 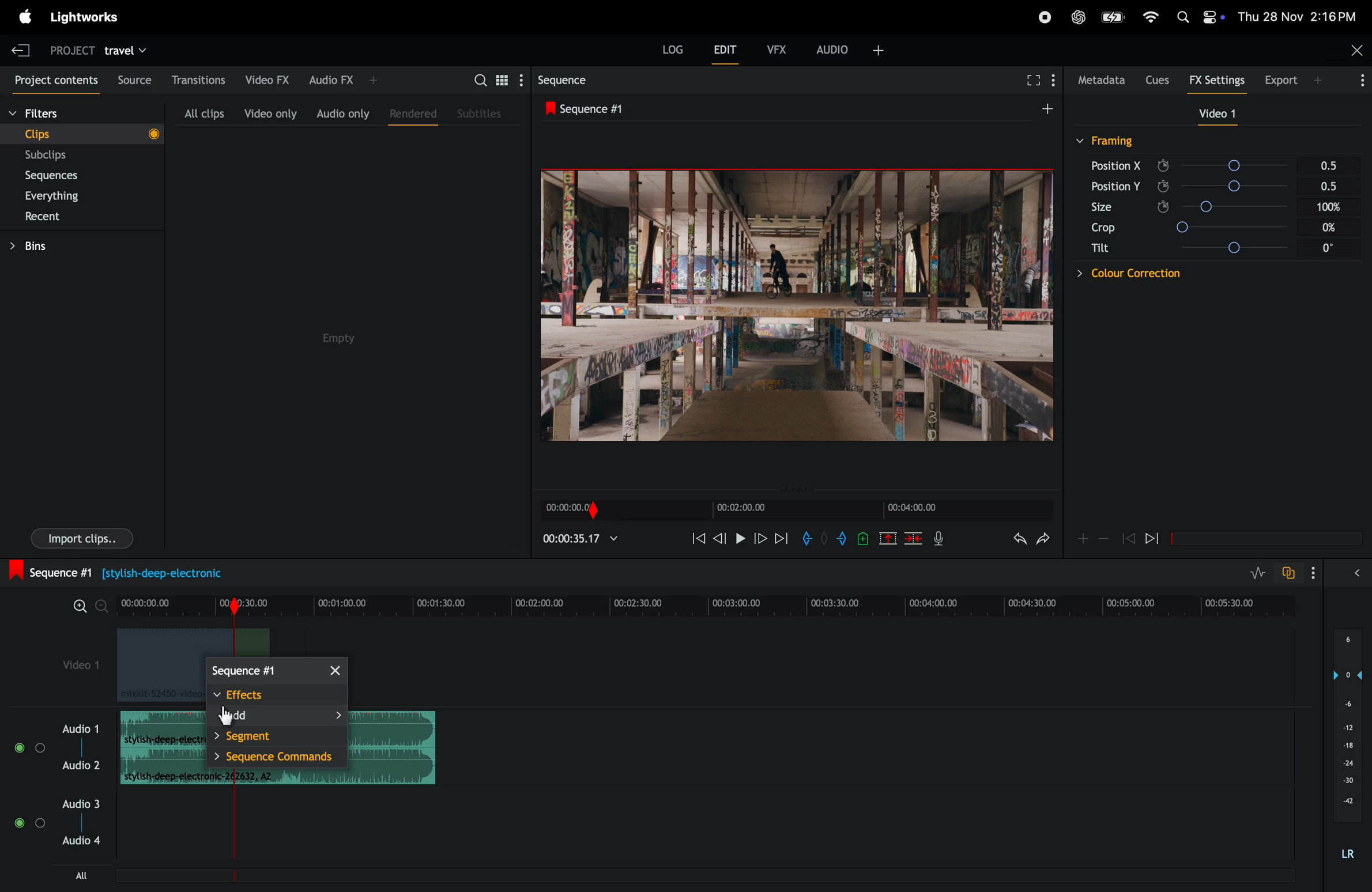 I want to click on sub clips, so click(x=62, y=156).